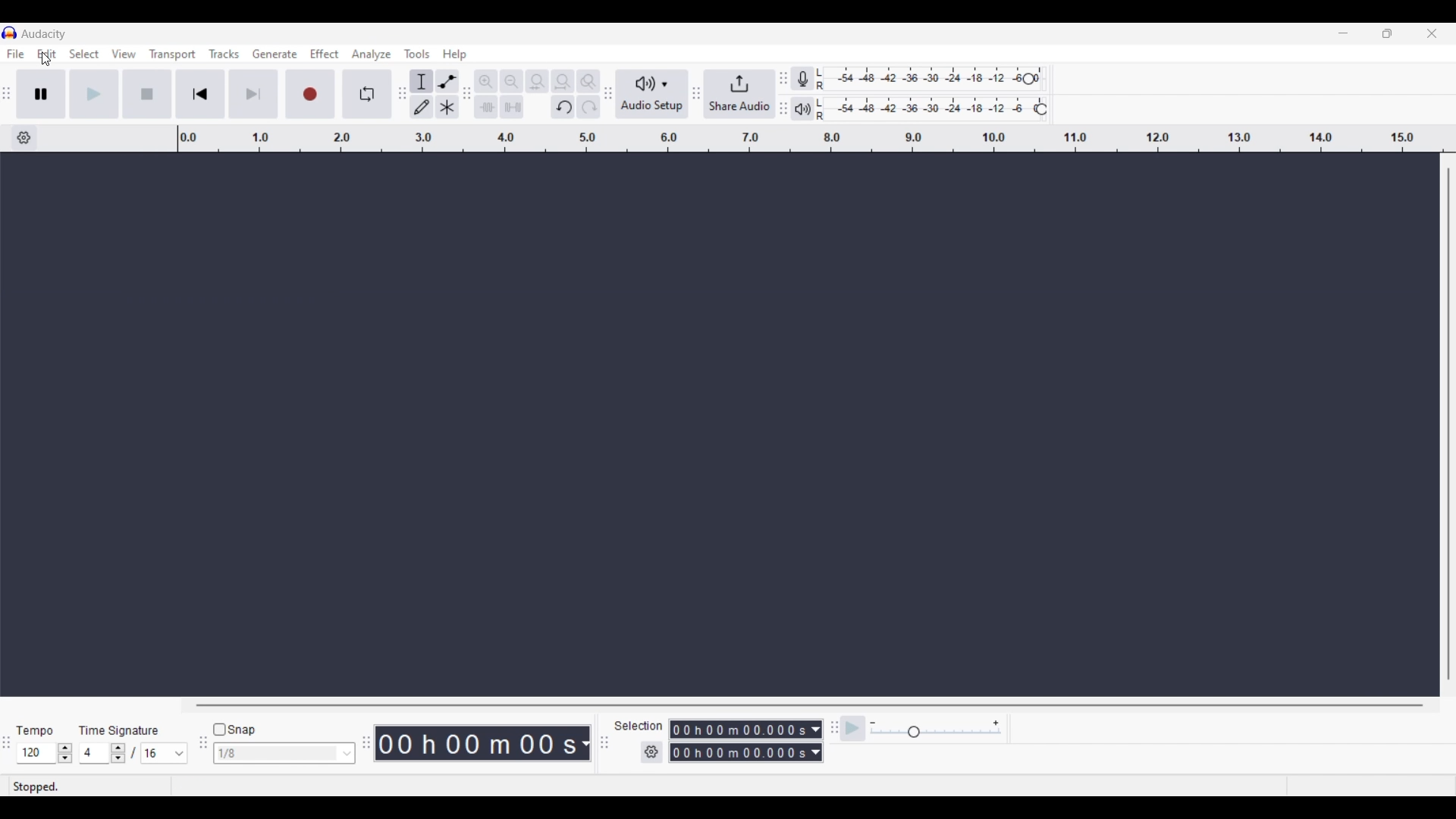 The width and height of the screenshot is (1456, 819). What do you see at coordinates (15, 54) in the screenshot?
I see `File menu` at bounding box center [15, 54].